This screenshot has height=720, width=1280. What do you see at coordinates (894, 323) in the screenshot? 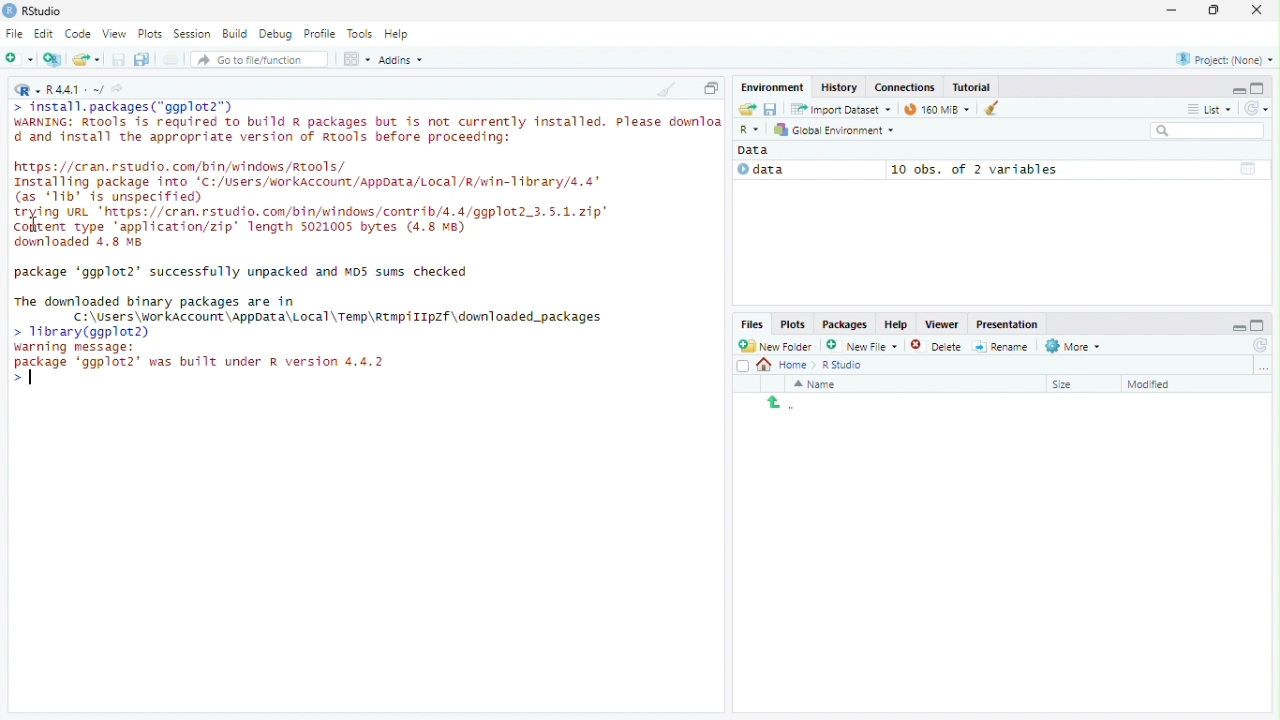
I see `help` at bounding box center [894, 323].